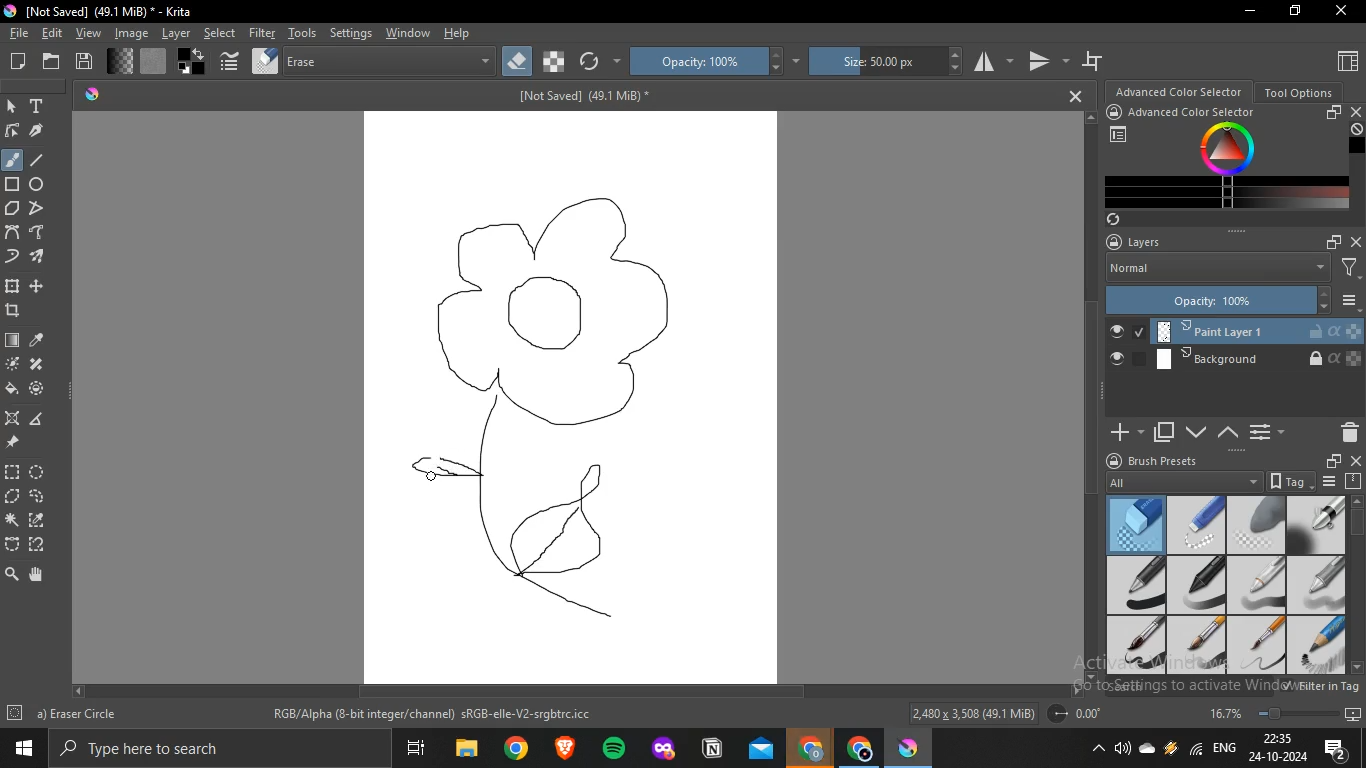  I want to click on basic 2 opacity, so click(1196, 585).